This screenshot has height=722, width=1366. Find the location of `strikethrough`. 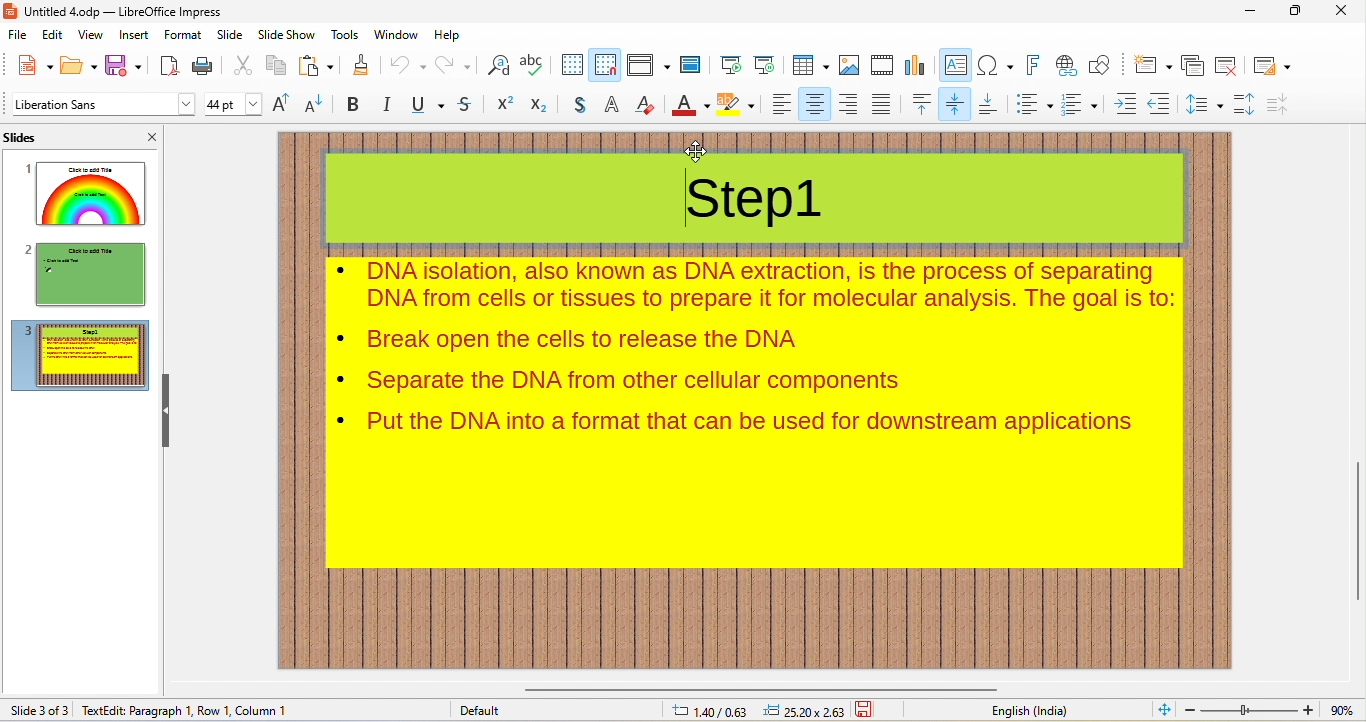

strikethrough is located at coordinates (466, 105).